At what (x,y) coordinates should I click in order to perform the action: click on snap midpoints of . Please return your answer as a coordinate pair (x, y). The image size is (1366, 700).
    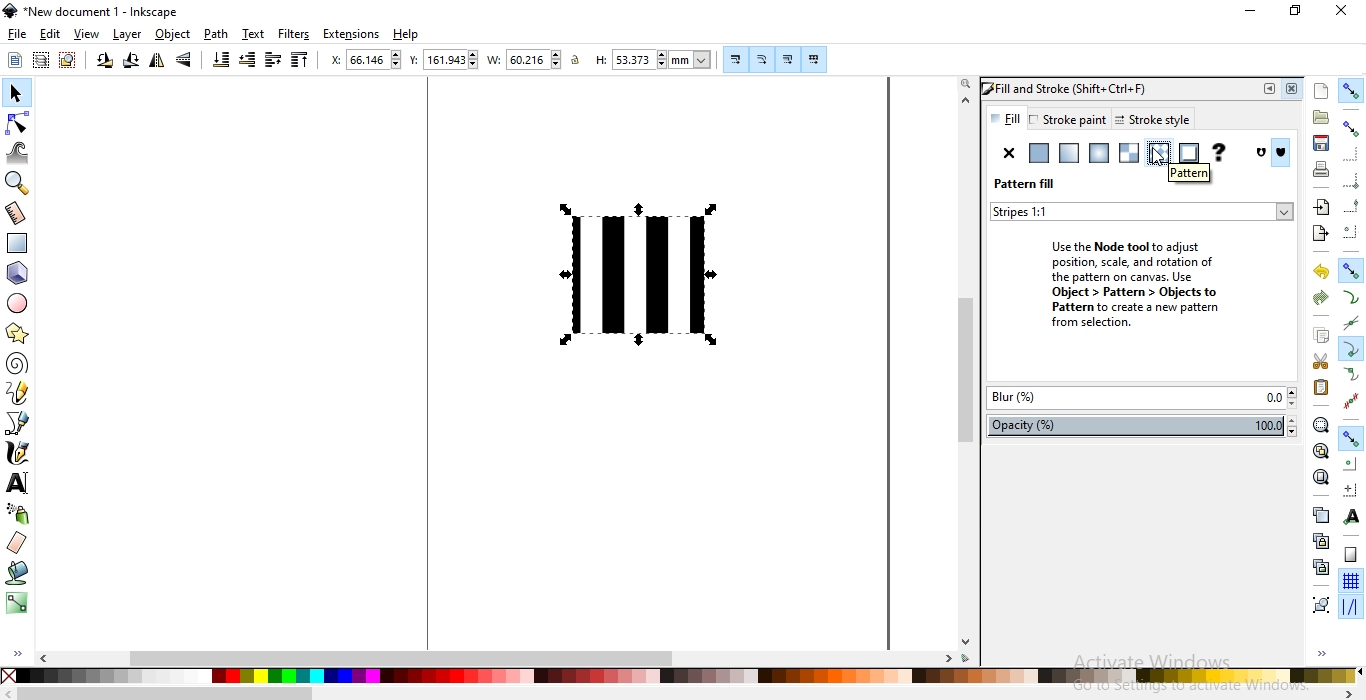
    Looking at the image, I should click on (1351, 208).